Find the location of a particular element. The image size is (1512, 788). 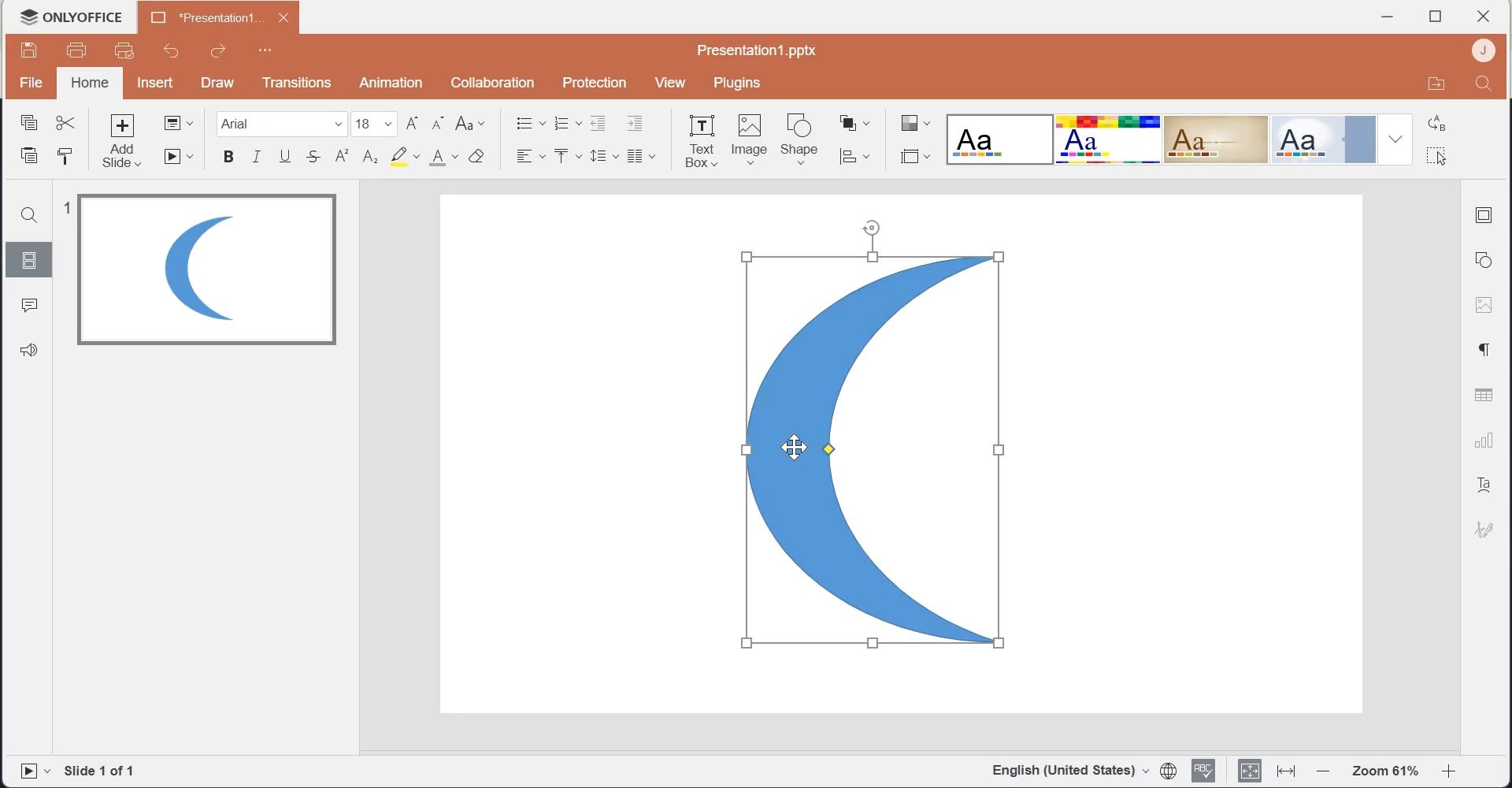

Shape is located at coordinates (1488, 257).